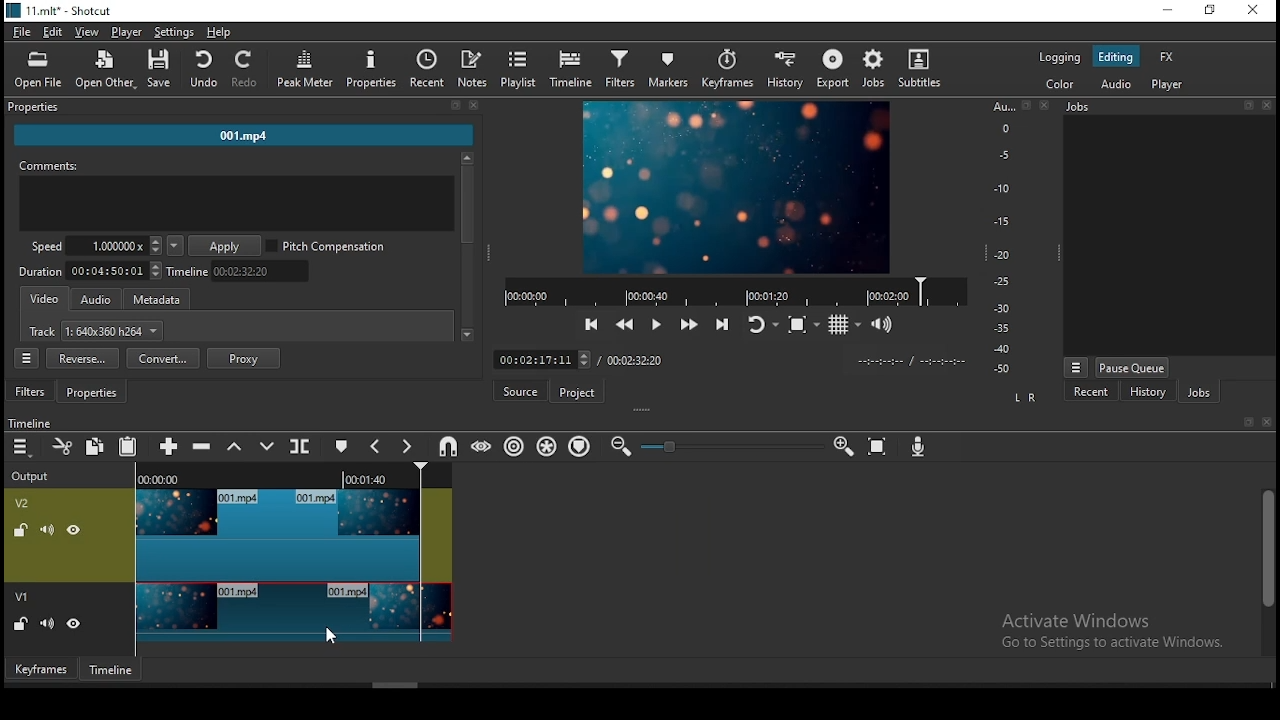 This screenshot has width=1280, height=720. I want to click on (UN)MUTE, so click(45, 624).